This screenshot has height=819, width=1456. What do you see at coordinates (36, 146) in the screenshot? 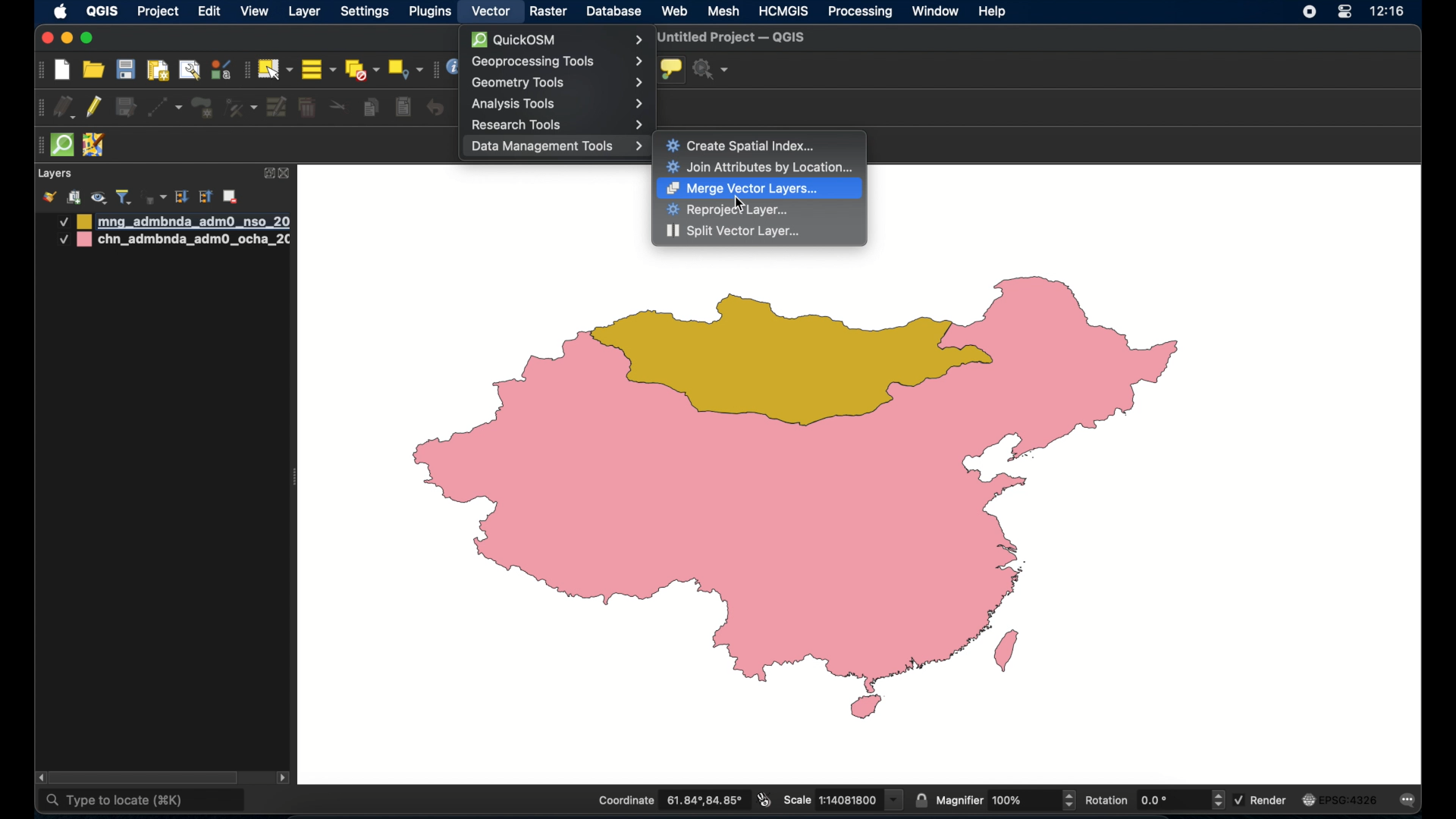
I see `drag handle` at bounding box center [36, 146].